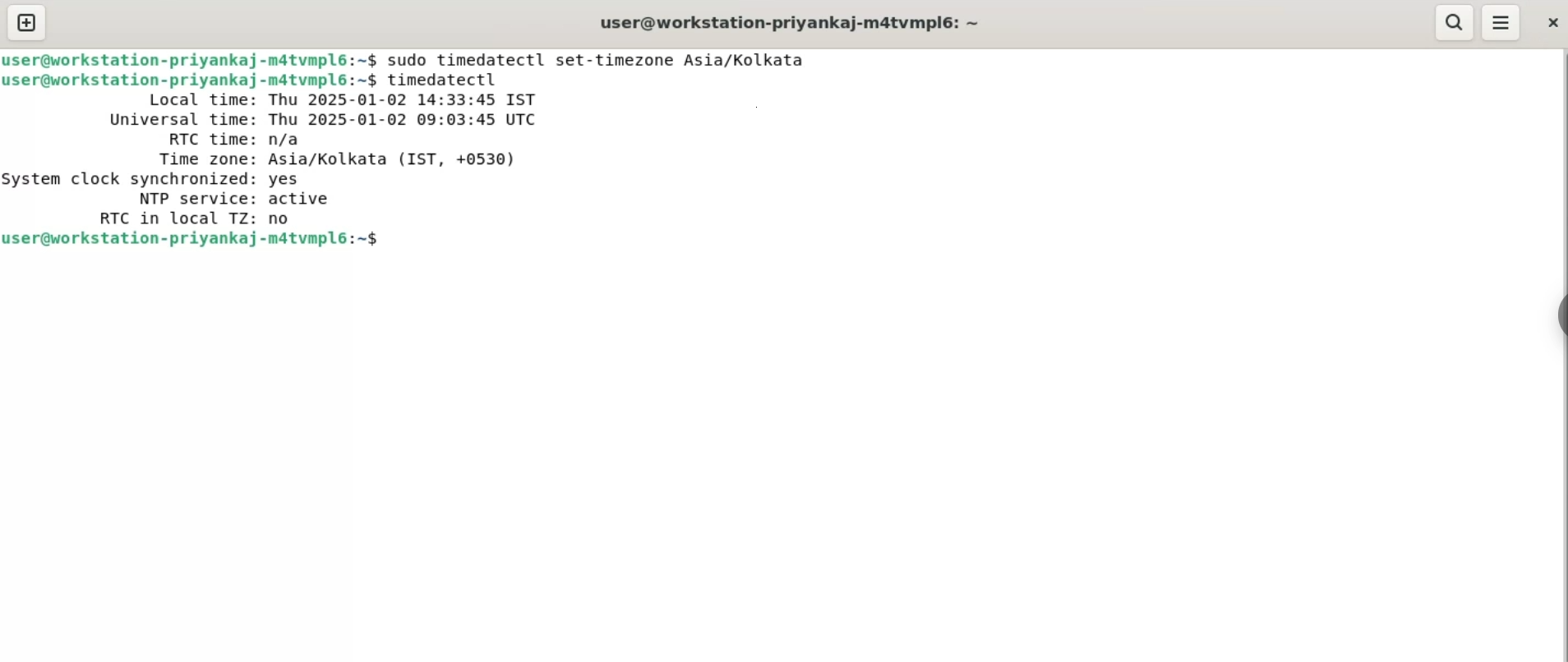 The width and height of the screenshot is (1568, 662). Describe the element at coordinates (1566, 311) in the screenshot. I see `sidebar` at that location.